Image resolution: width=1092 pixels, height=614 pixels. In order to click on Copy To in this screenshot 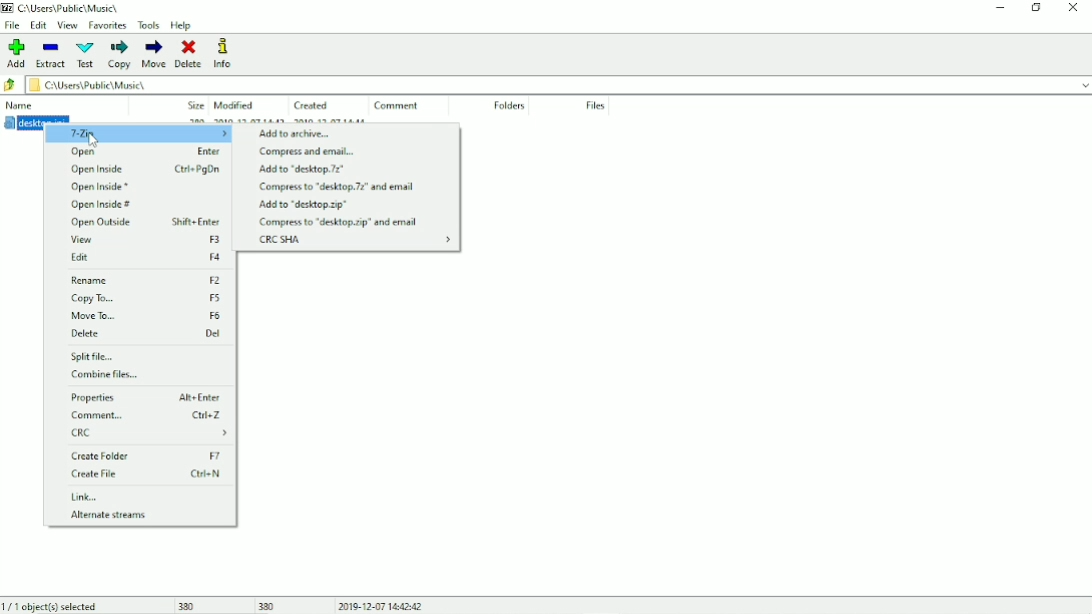, I will do `click(145, 299)`.